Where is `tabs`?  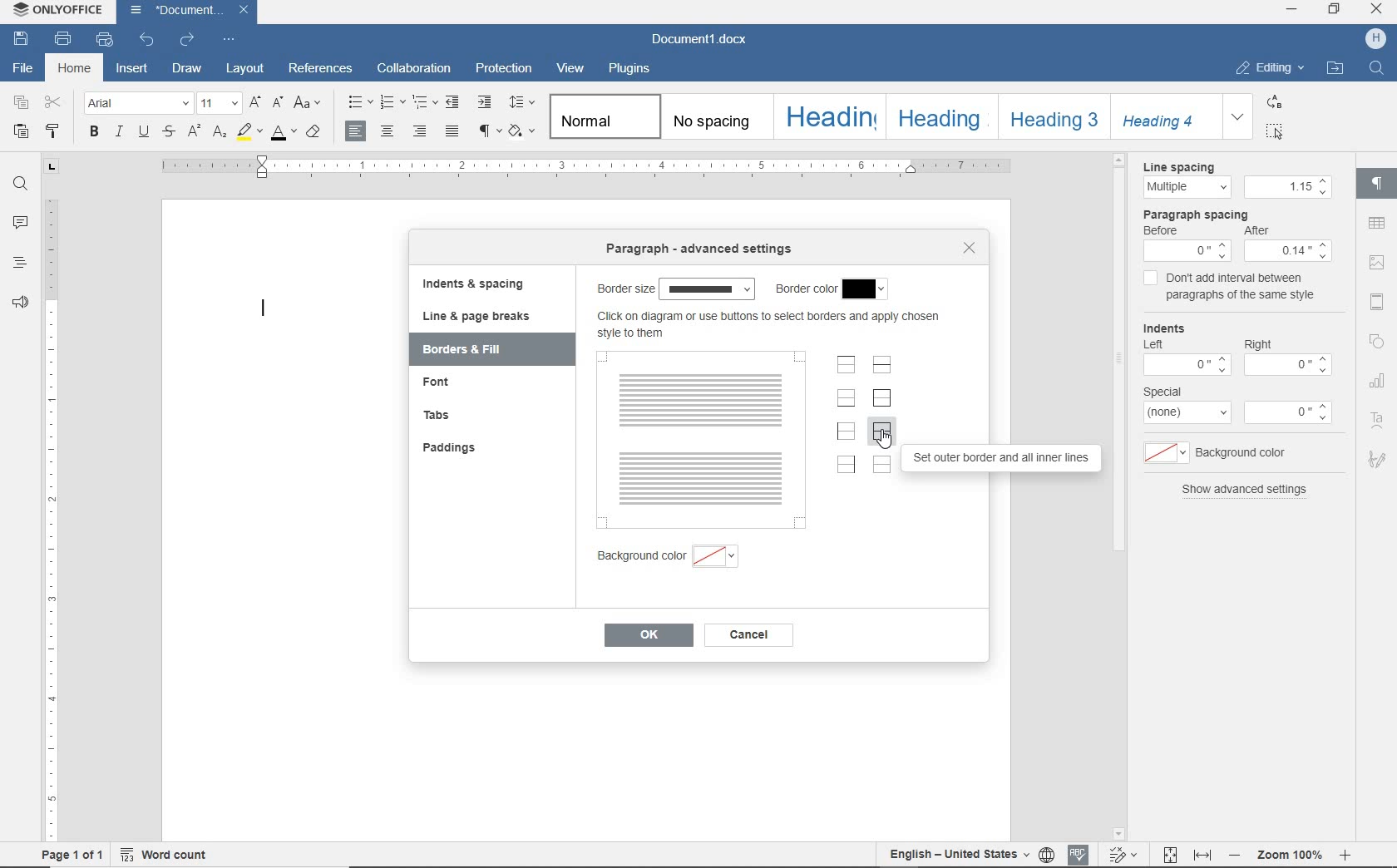
tabs is located at coordinates (463, 417).